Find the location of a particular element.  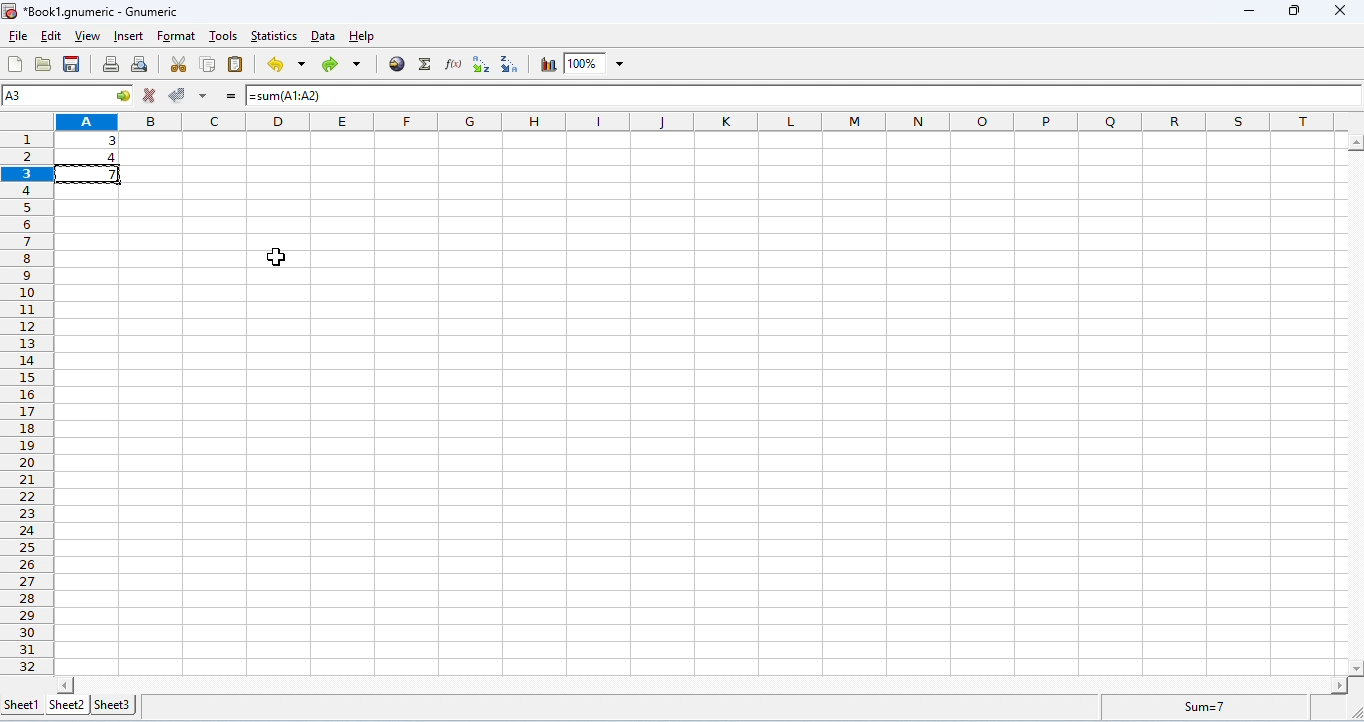

view is located at coordinates (89, 37).